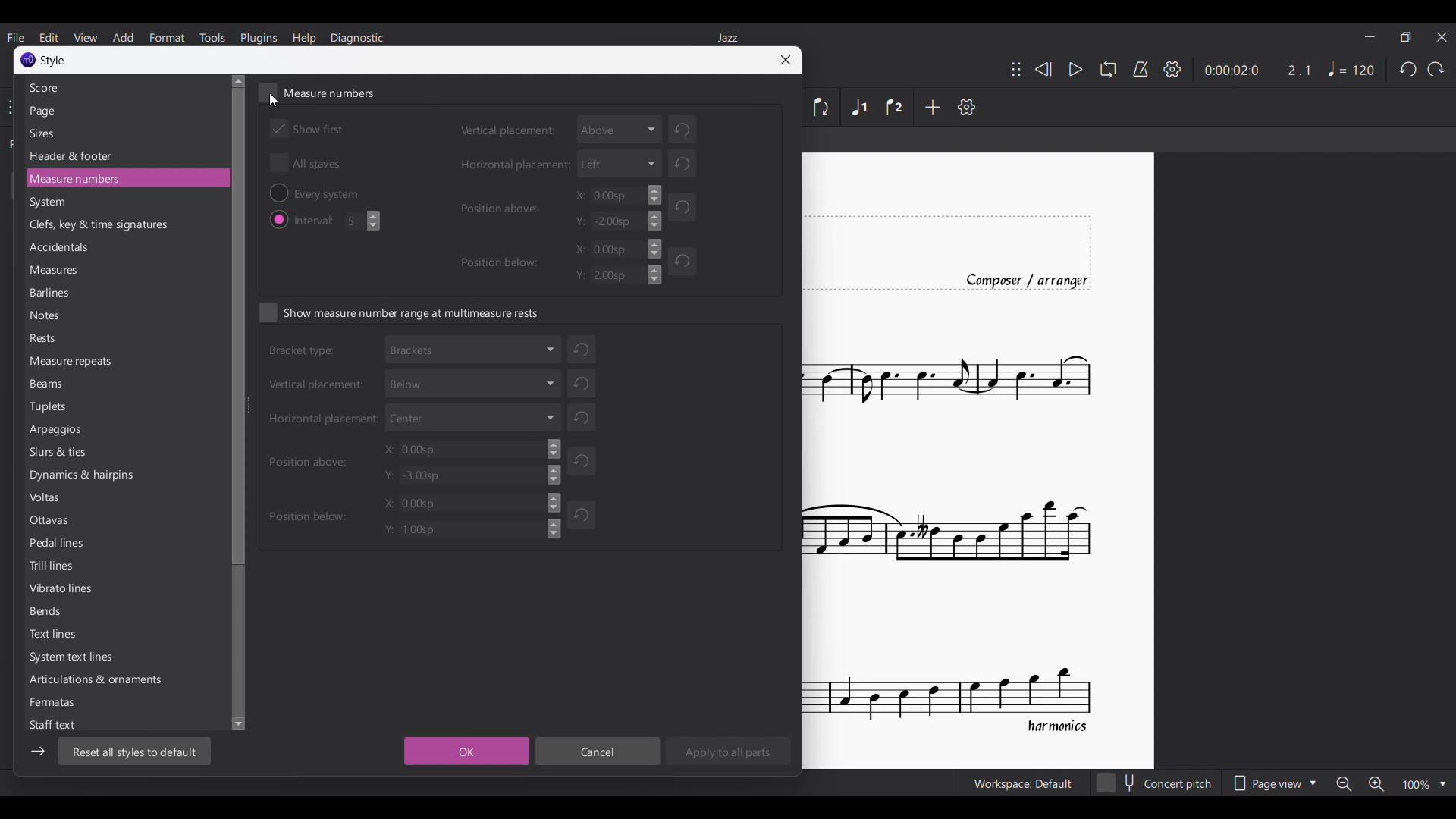  What do you see at coordinates (319, 221) in the screenshot?
I see `Indicates setting for each` at bounding box center [319, 221].